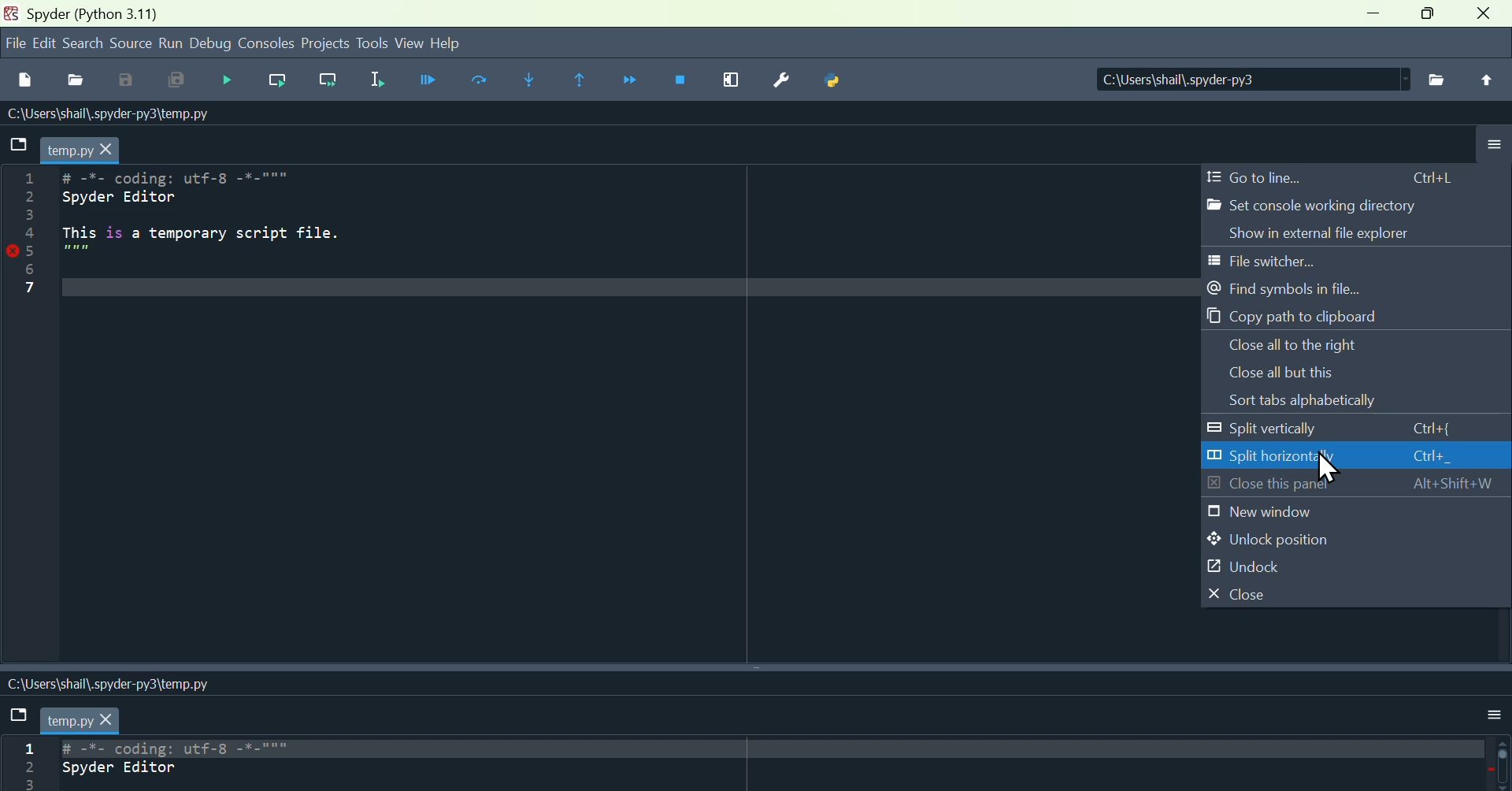 This screenshot has width=1512, height=791. What do you see at coordinates (98, 13) in the screenshot?
I see `pyder (Python 3.11)` at bounding box center [98, 13].